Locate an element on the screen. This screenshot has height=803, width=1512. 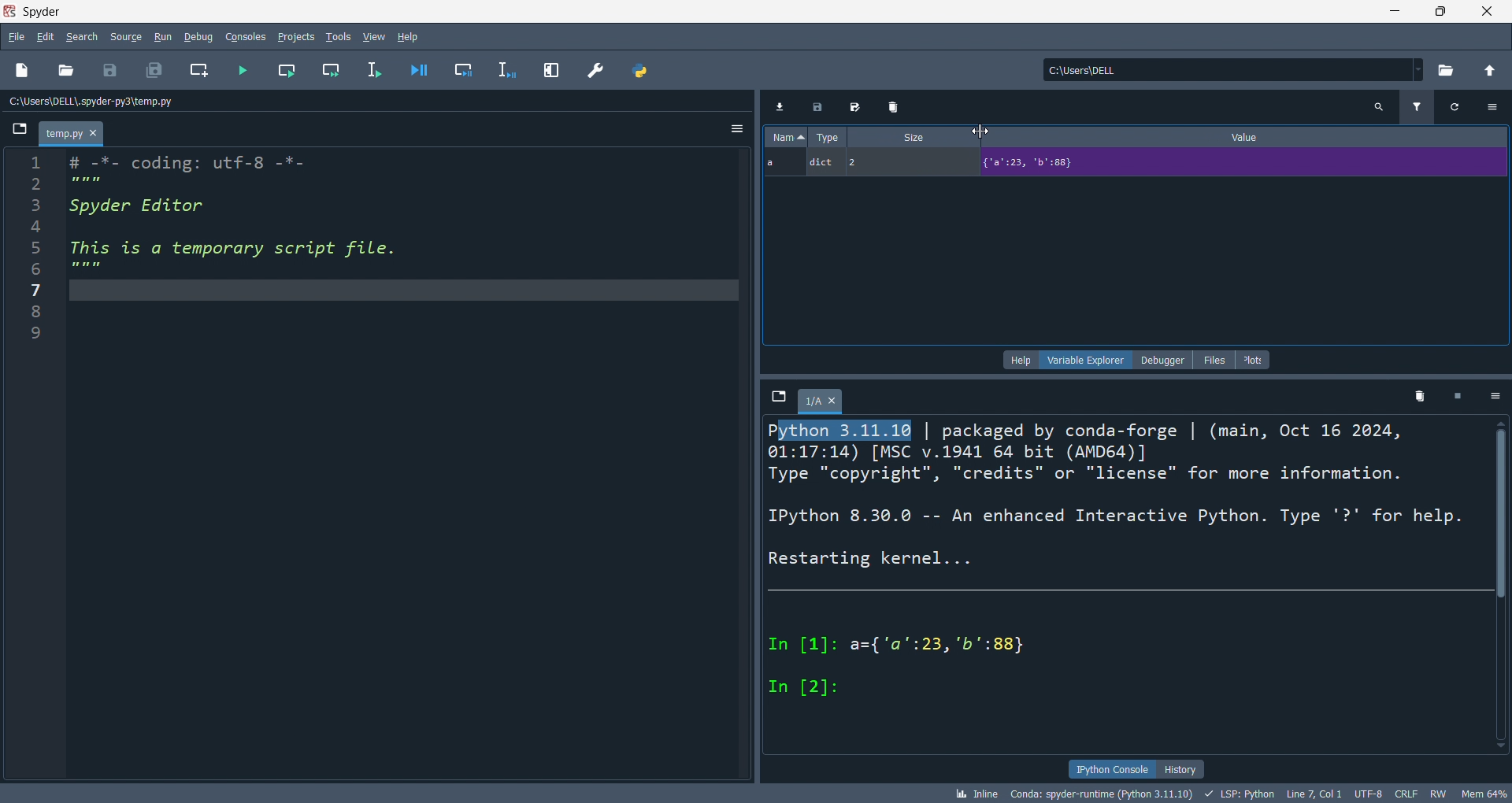
run line is located at coordinates (378, 71).